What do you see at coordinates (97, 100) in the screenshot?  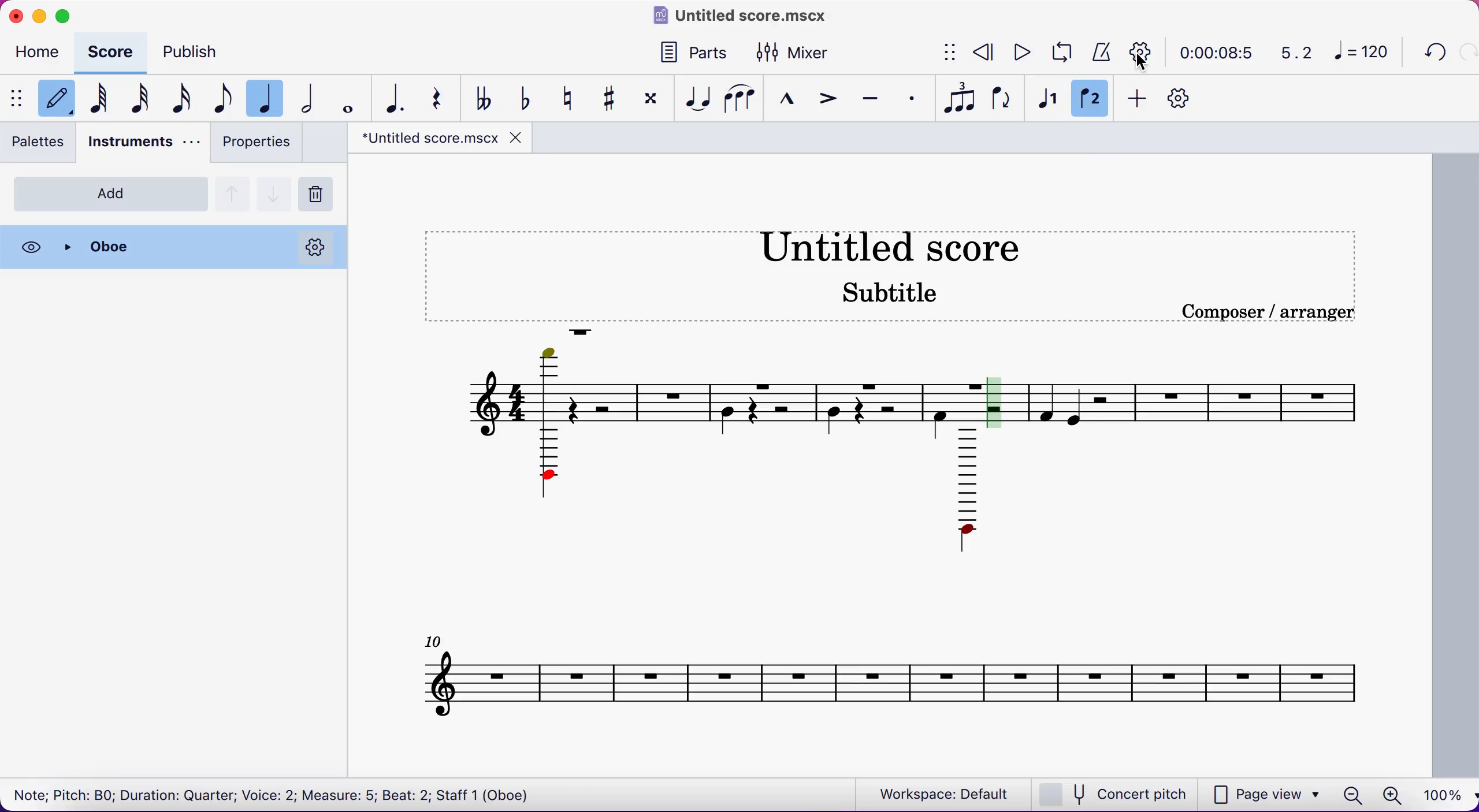 I see `64th note` at bounding box center [97, 100].